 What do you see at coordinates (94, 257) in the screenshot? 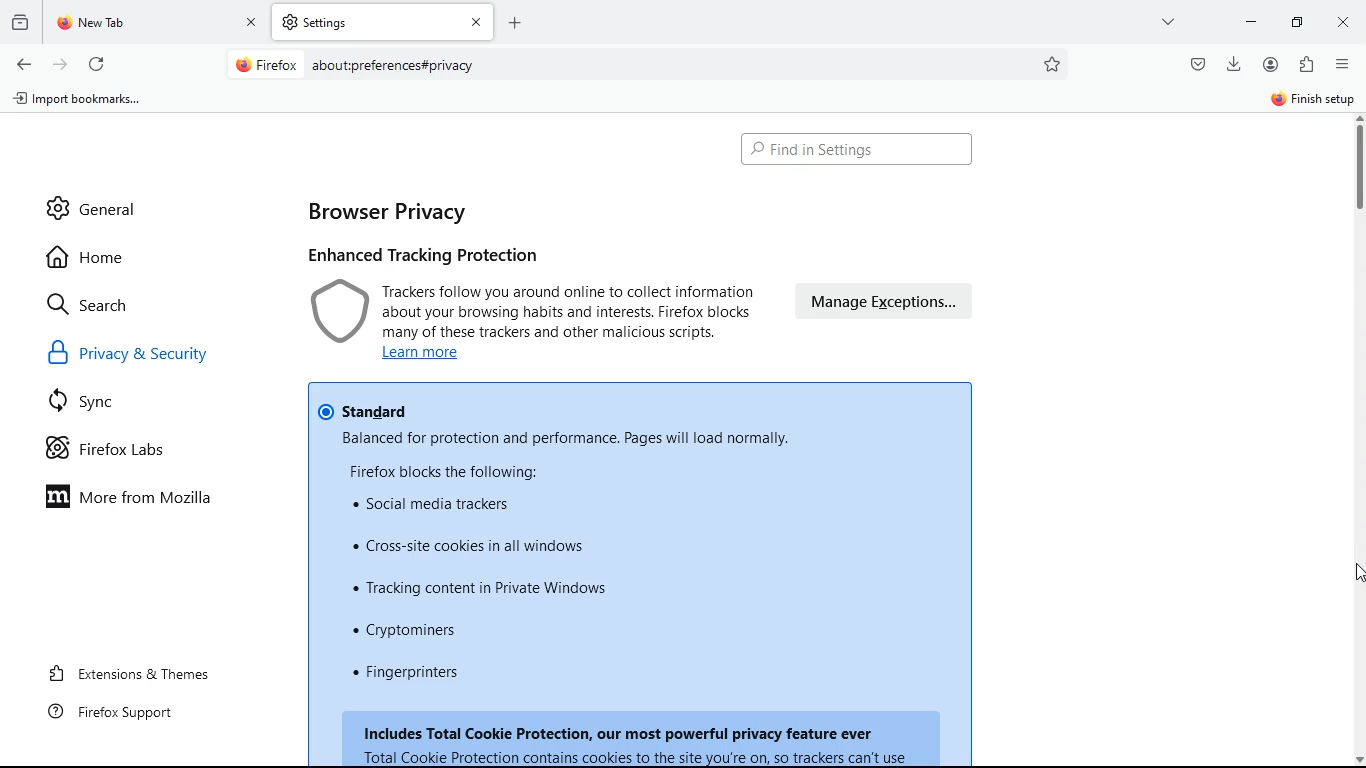
I see `home` at bounding box center [94, 257].